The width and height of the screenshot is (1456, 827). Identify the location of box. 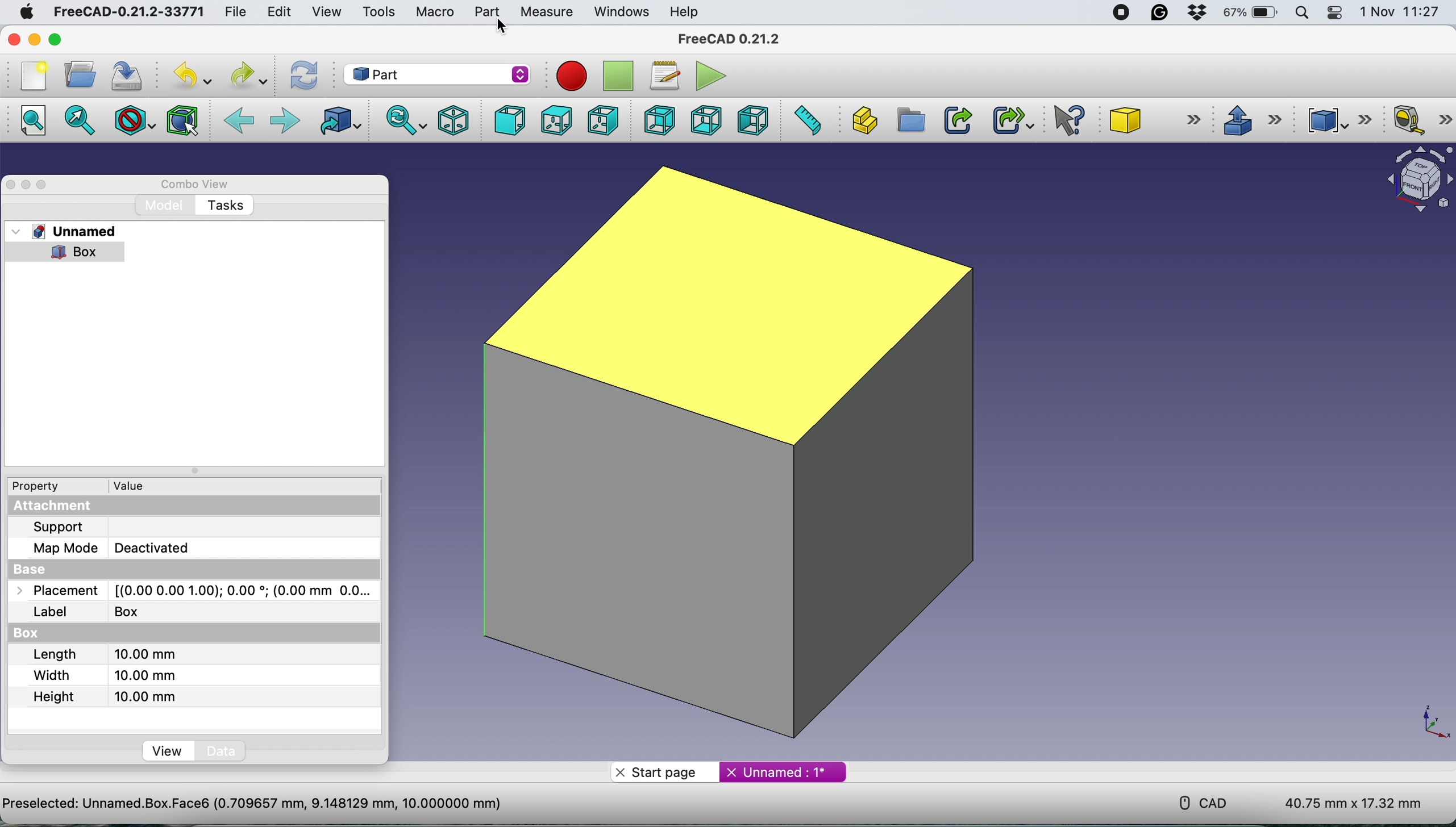
(748, 456).